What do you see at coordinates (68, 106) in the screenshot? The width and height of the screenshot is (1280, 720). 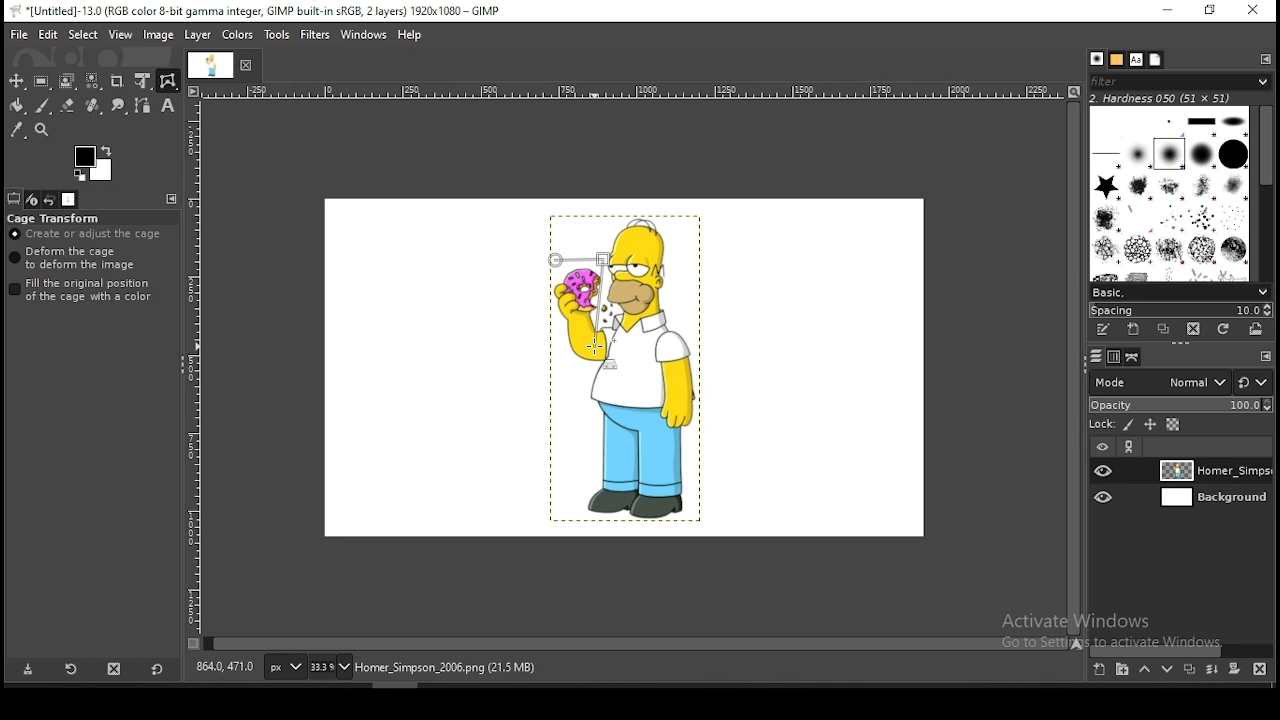 I see `eraser tool` at bounding box center [68, 106].